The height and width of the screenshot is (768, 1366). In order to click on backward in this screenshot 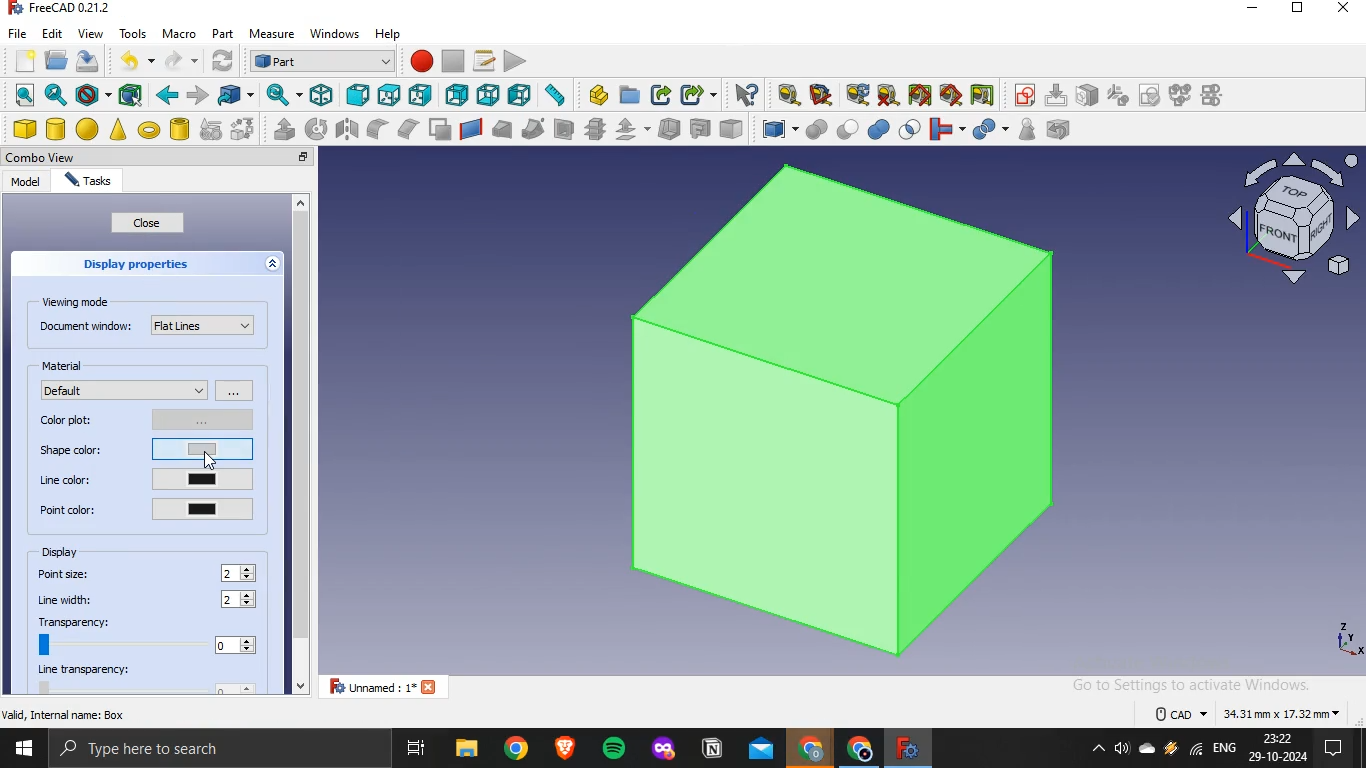, I will do `click(166, 95)`.